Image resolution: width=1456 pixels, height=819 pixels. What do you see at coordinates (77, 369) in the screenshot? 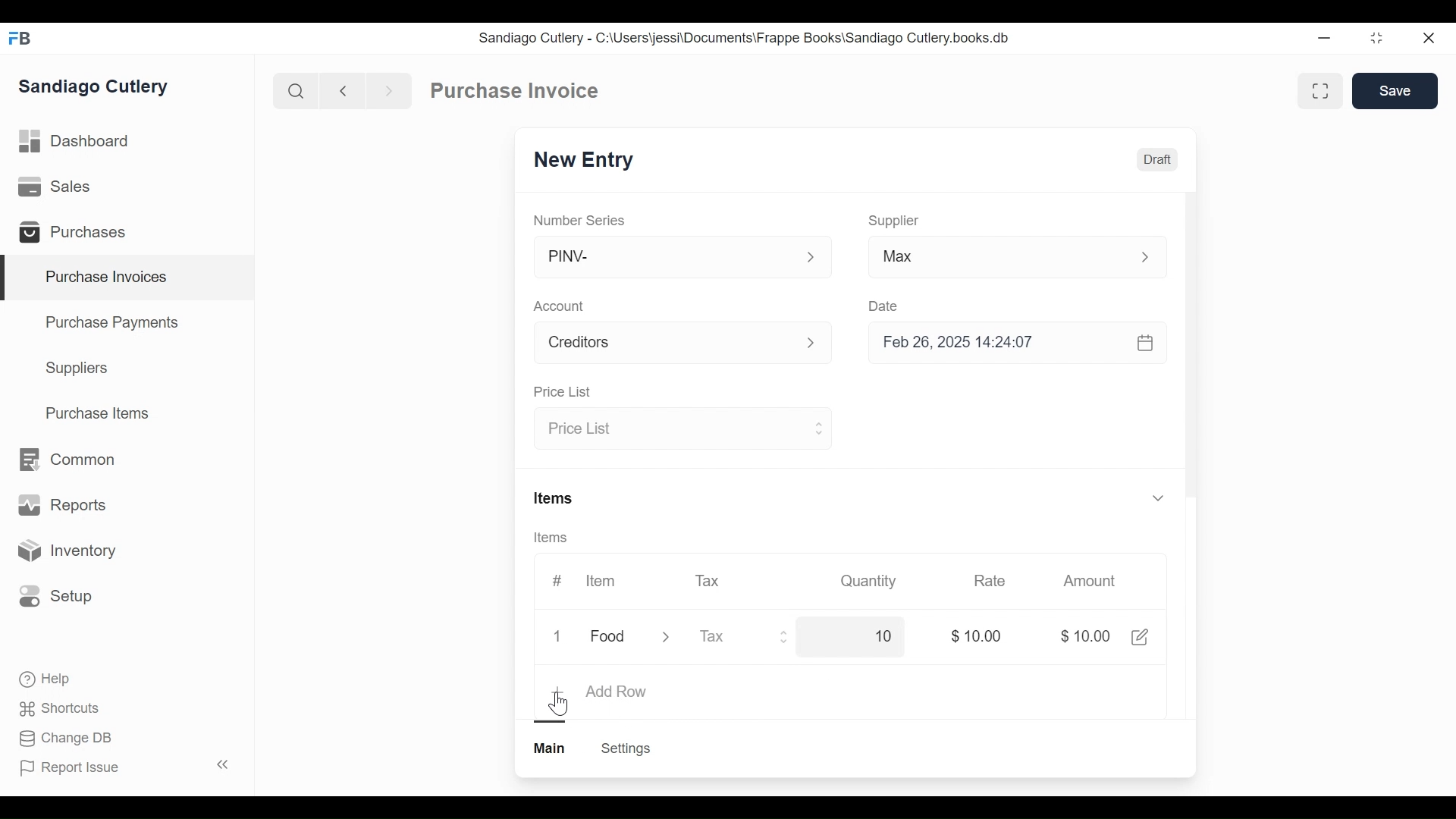
I see `Suppliers` at bounding box center [77, 369].